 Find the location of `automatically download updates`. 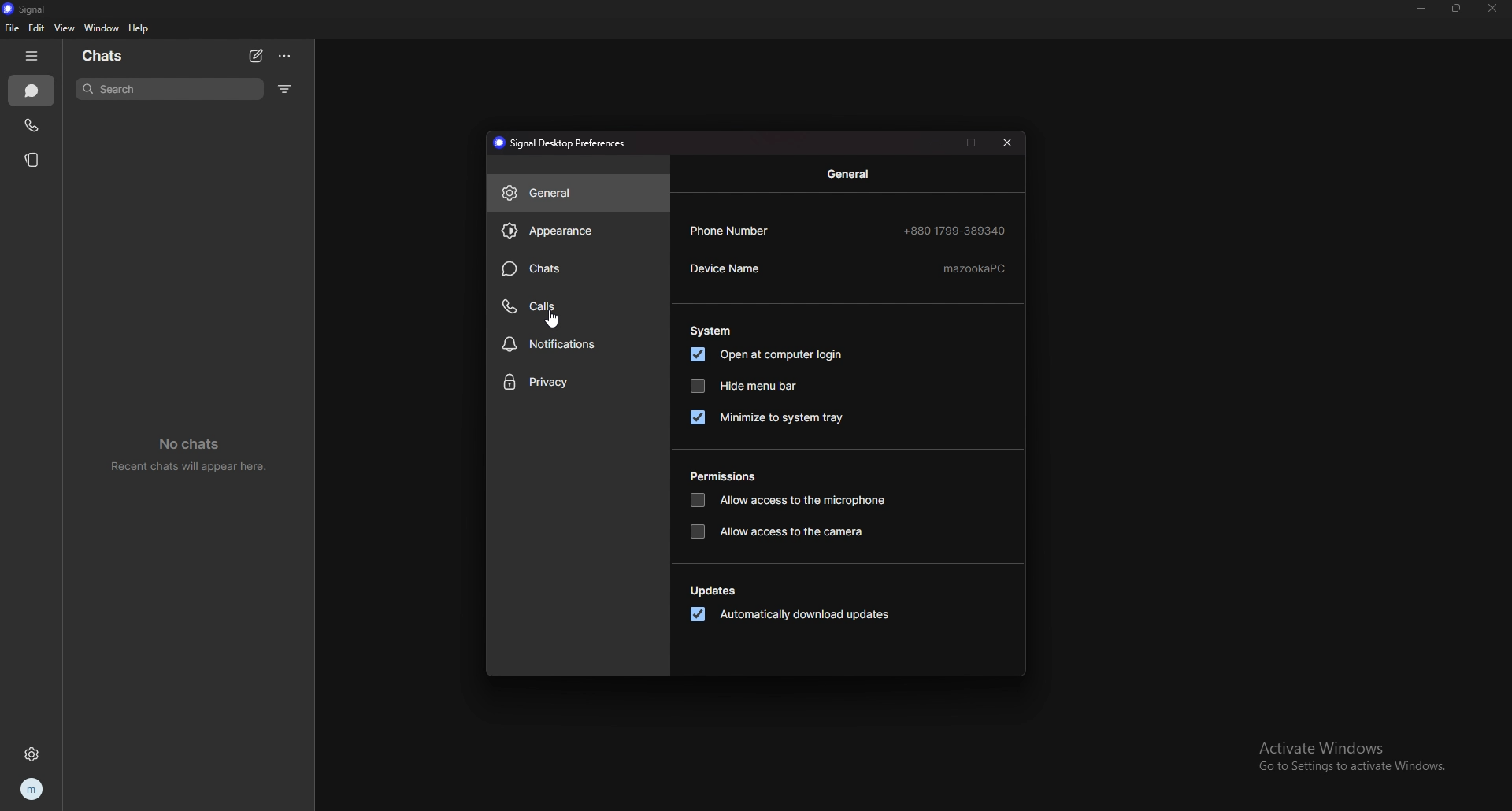

automatically download updates is located at coordinates (787, 614).